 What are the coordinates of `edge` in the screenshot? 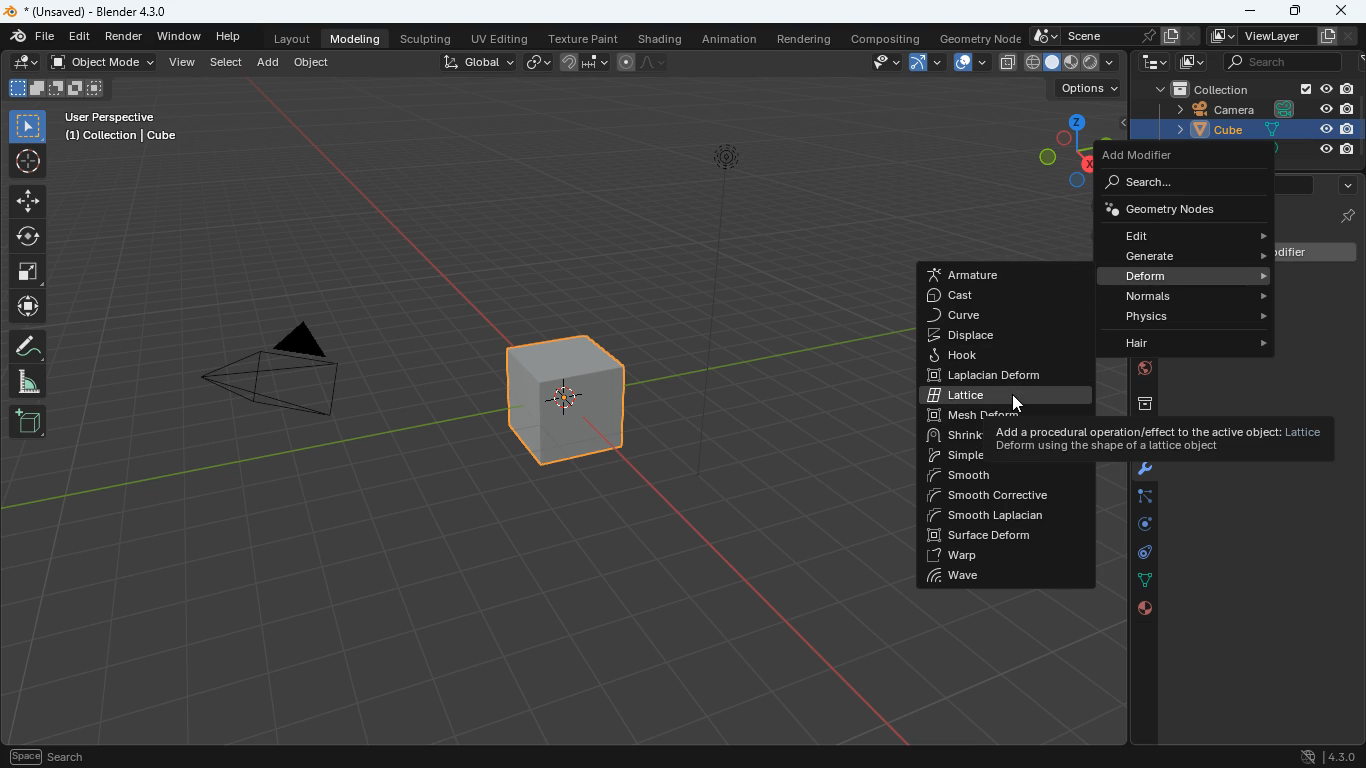 It's located at (1138, 498).